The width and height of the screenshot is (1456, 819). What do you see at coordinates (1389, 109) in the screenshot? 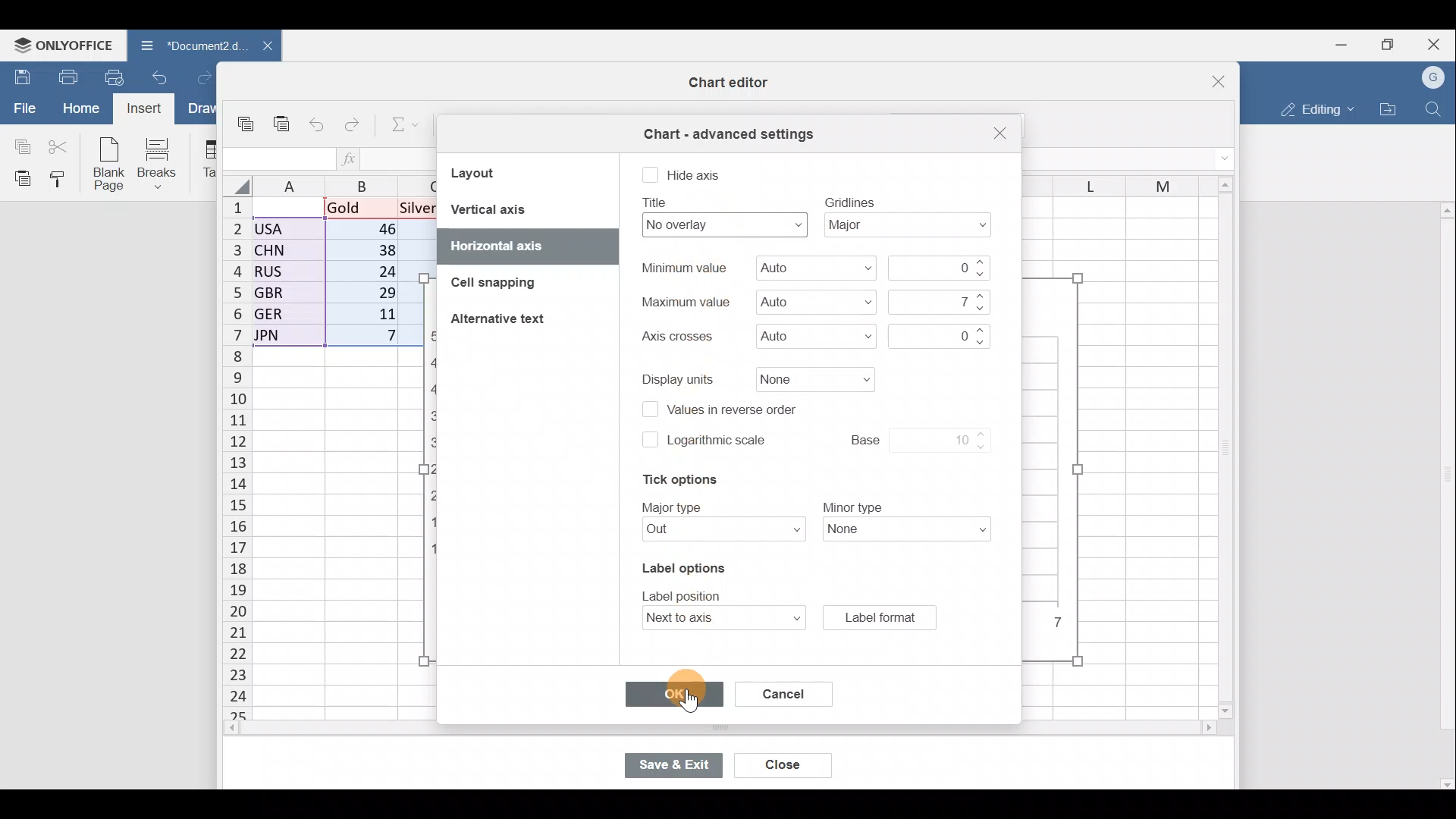
I see `Open file location` at bounding box center [1389, 109].